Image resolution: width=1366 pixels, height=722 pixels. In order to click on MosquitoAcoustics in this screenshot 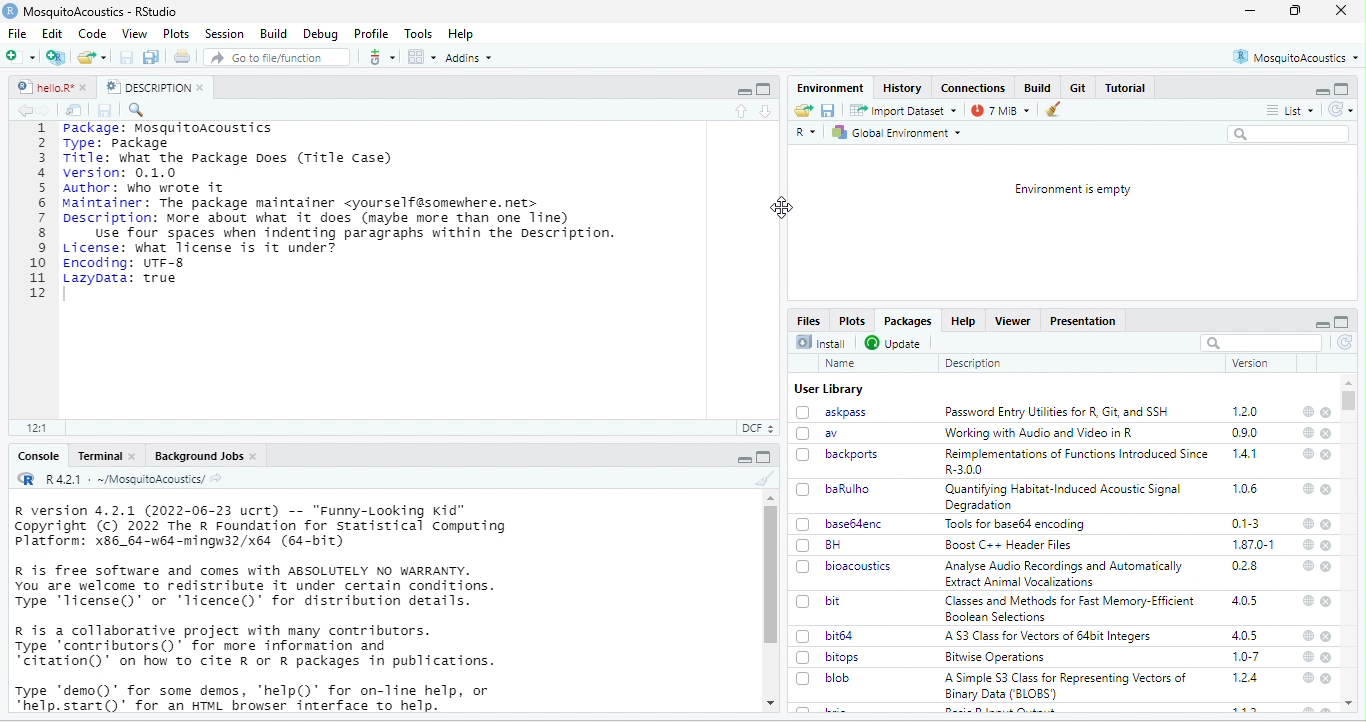, I will do `click(1296, 57)`.